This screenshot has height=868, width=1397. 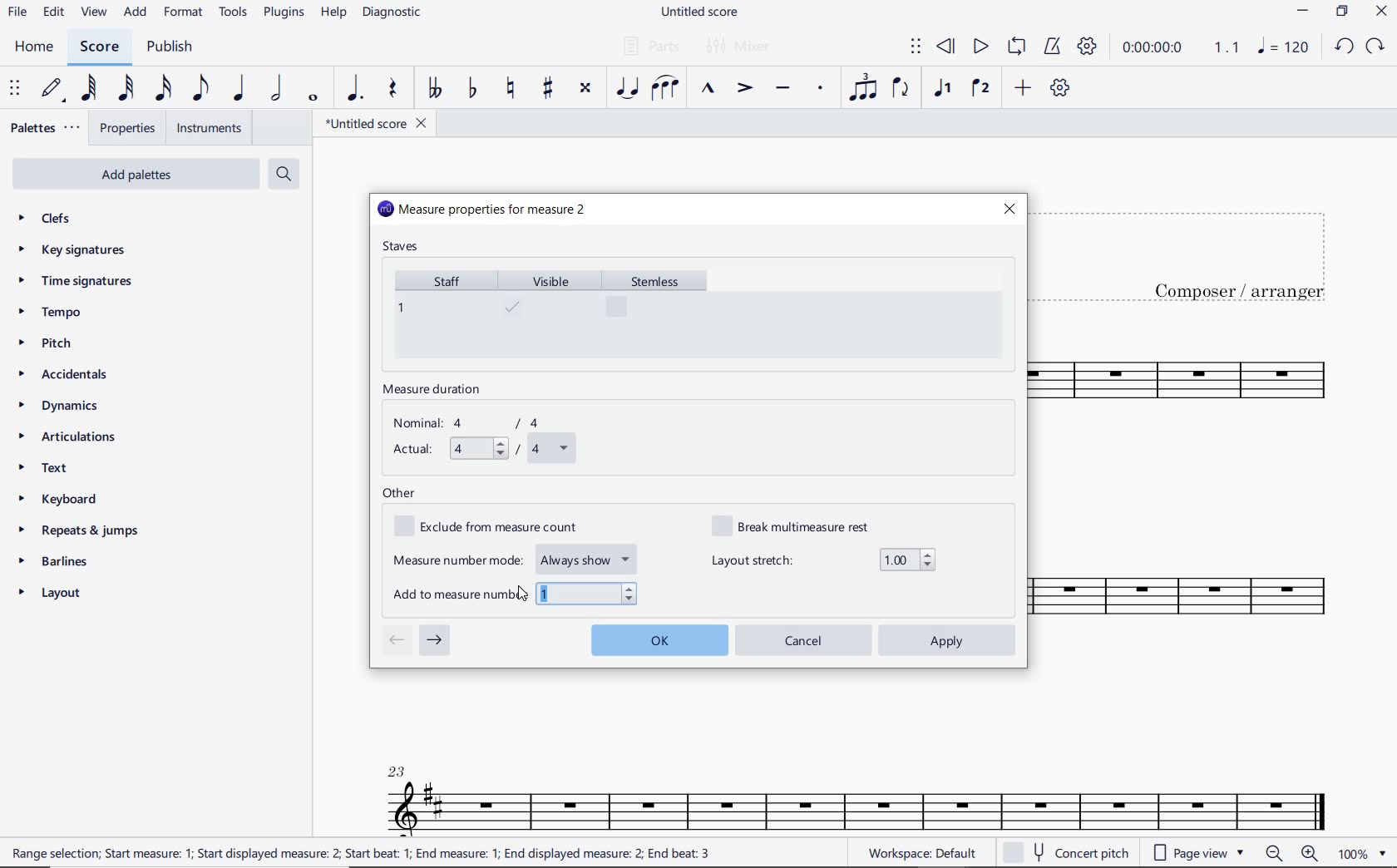 I want to click on VOICE 1, so click(x=941, y=89).